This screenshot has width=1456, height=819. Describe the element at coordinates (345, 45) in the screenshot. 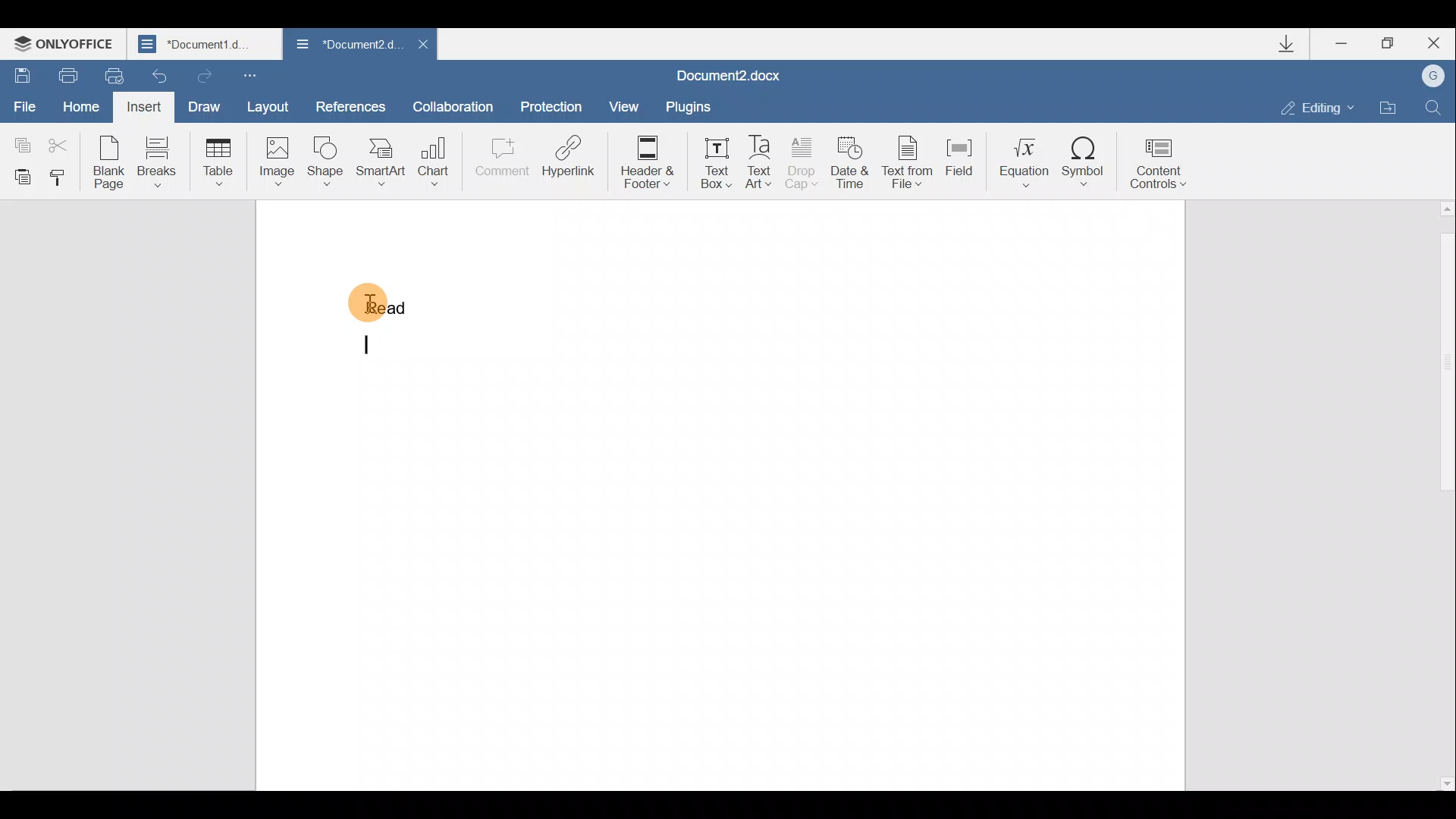

I see `*Document2.d...` at that location.